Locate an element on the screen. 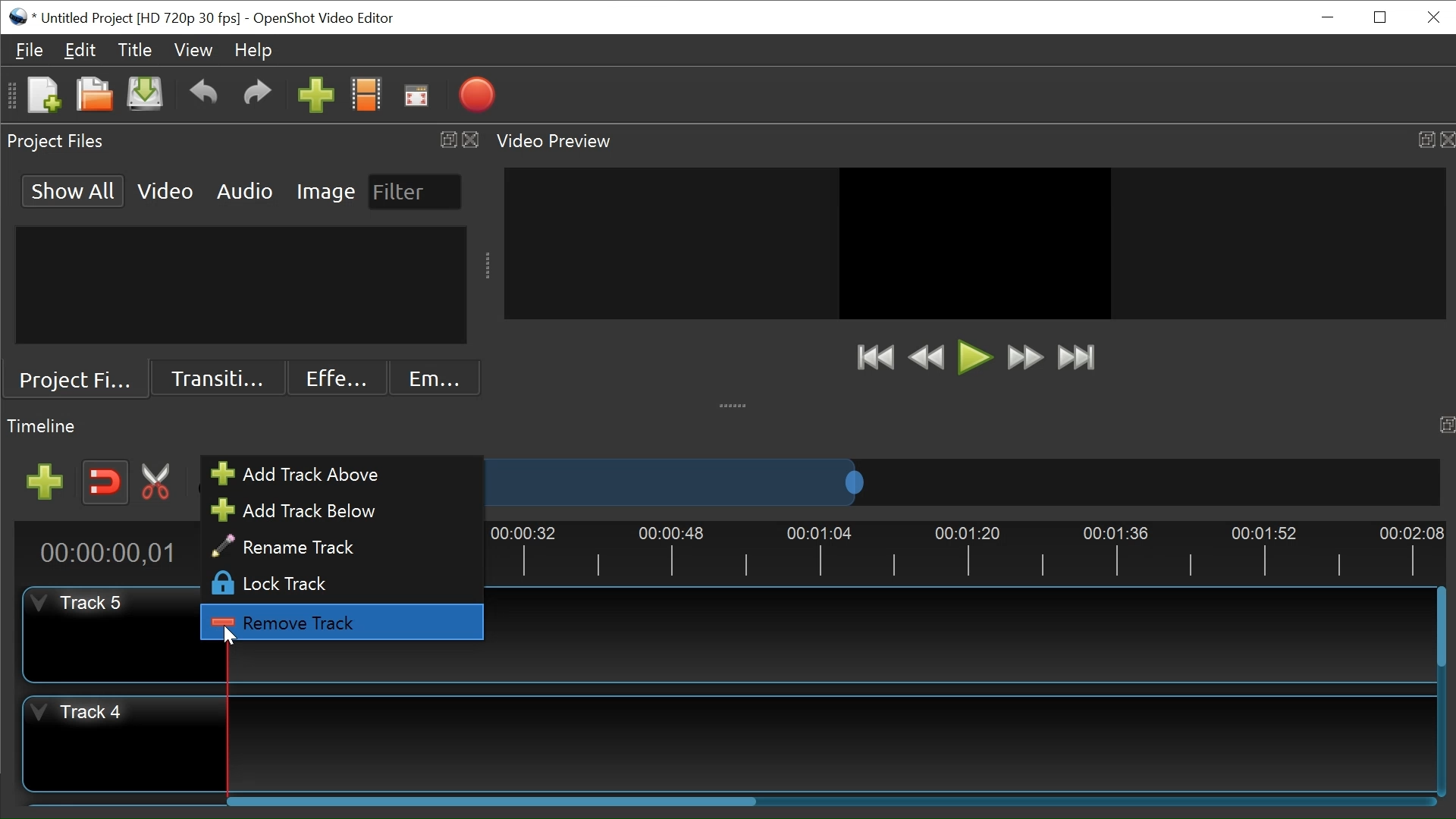 The image size is (1456, 819). Jump to Start is located at coordinates (873, 356).